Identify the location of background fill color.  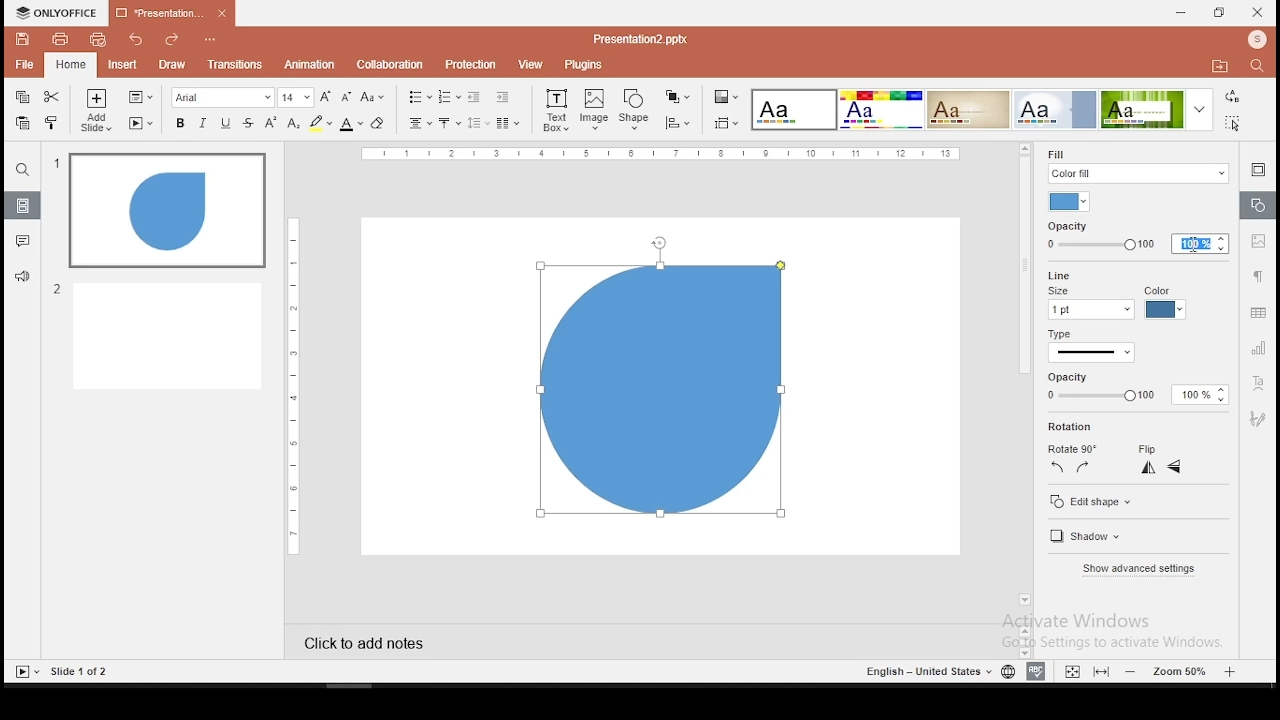
(1071, 202).